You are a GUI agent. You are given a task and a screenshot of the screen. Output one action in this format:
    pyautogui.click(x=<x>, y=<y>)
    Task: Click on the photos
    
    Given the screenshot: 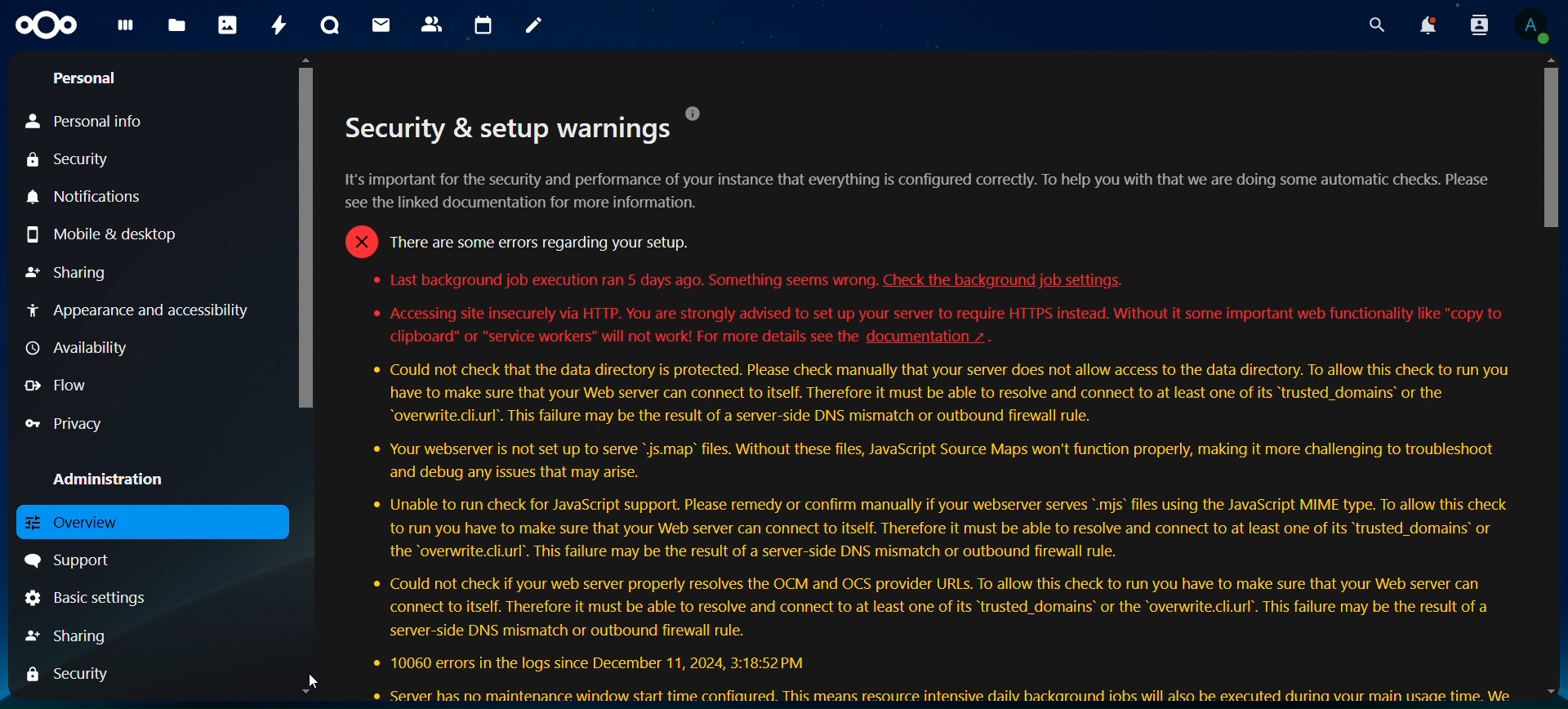 What is the action you would take?
    pyautogui.click(x=227, y=25)
    